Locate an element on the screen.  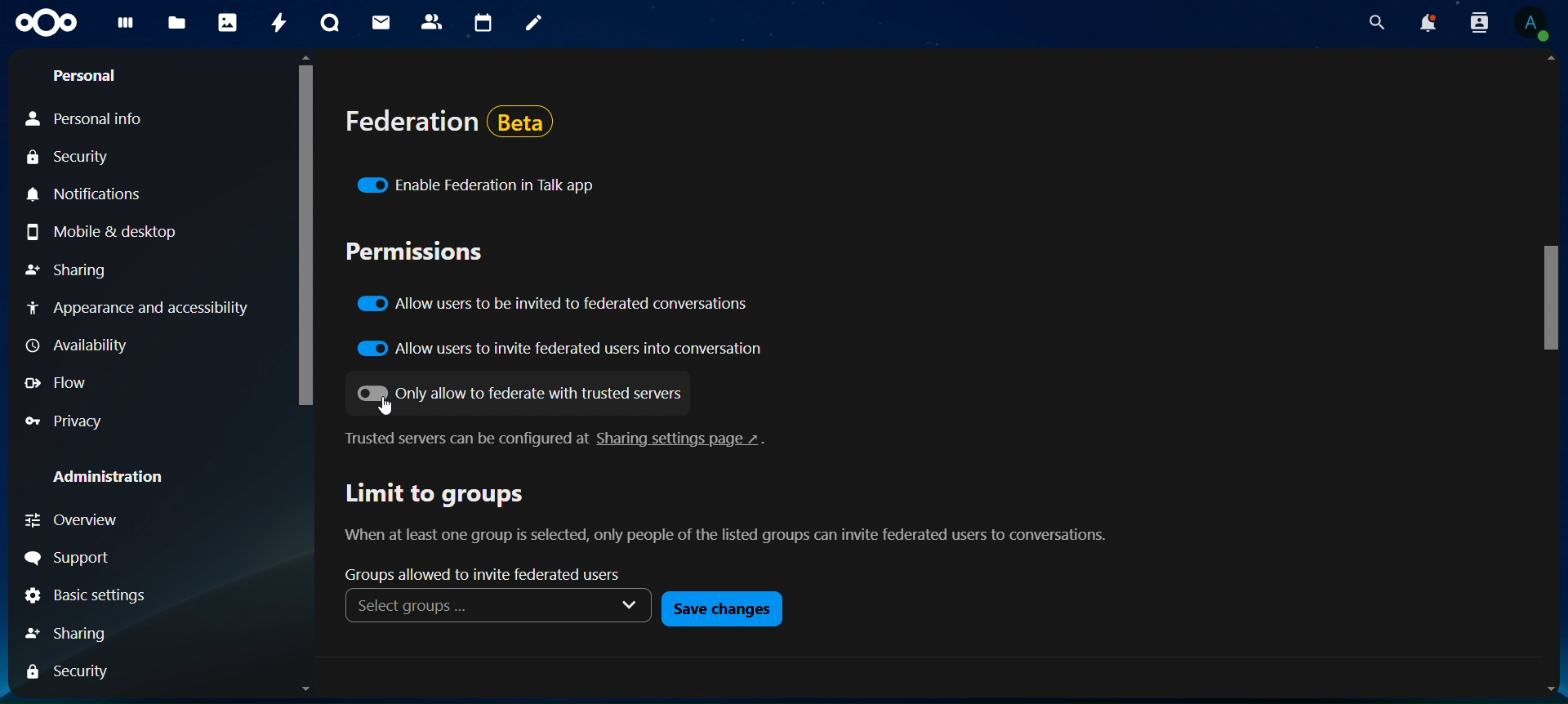
scroll bar is located at coordinates (1545, 300).